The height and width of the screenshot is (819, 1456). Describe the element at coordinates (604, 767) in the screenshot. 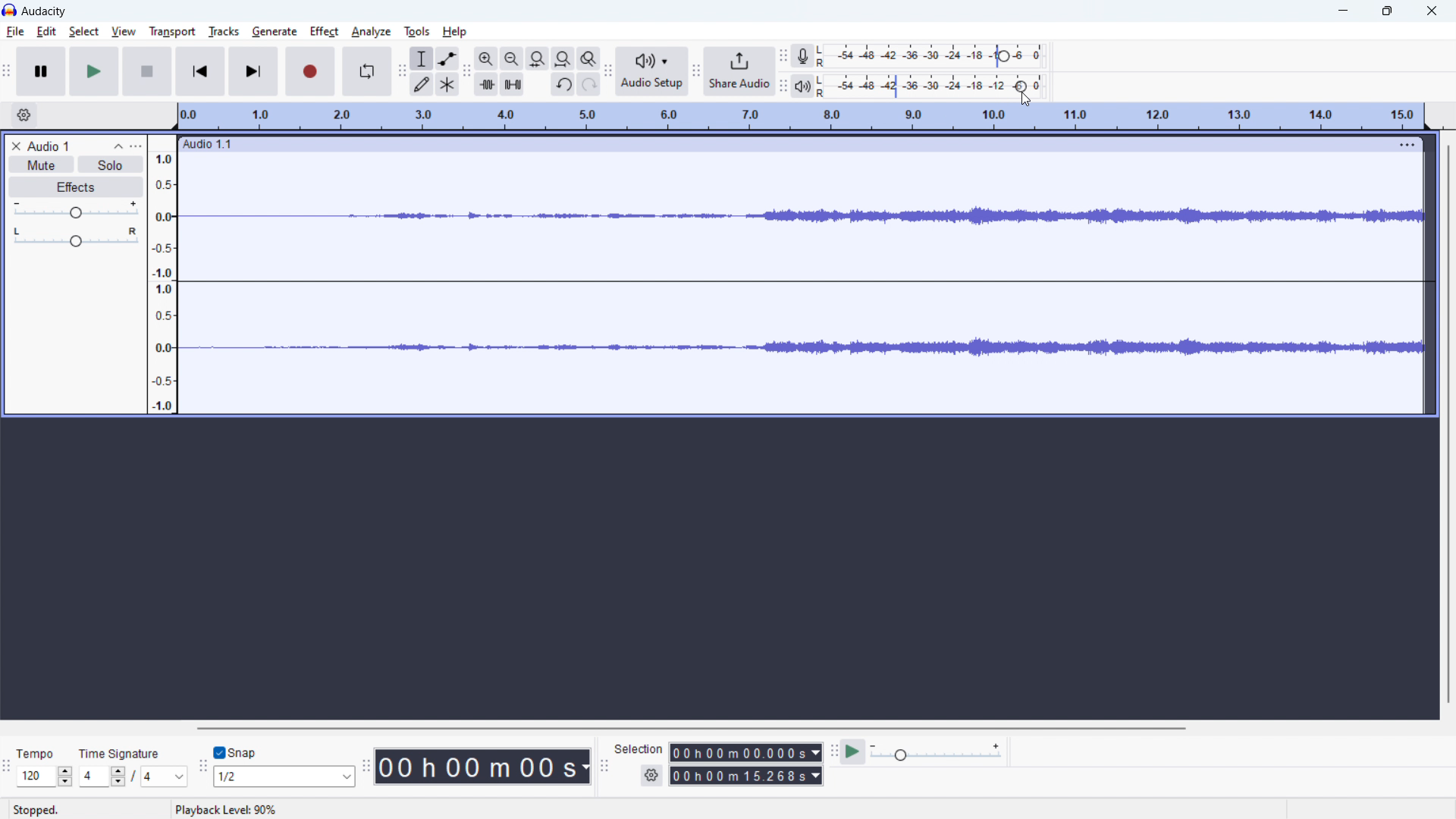

I see `selection toolbar` at that location.